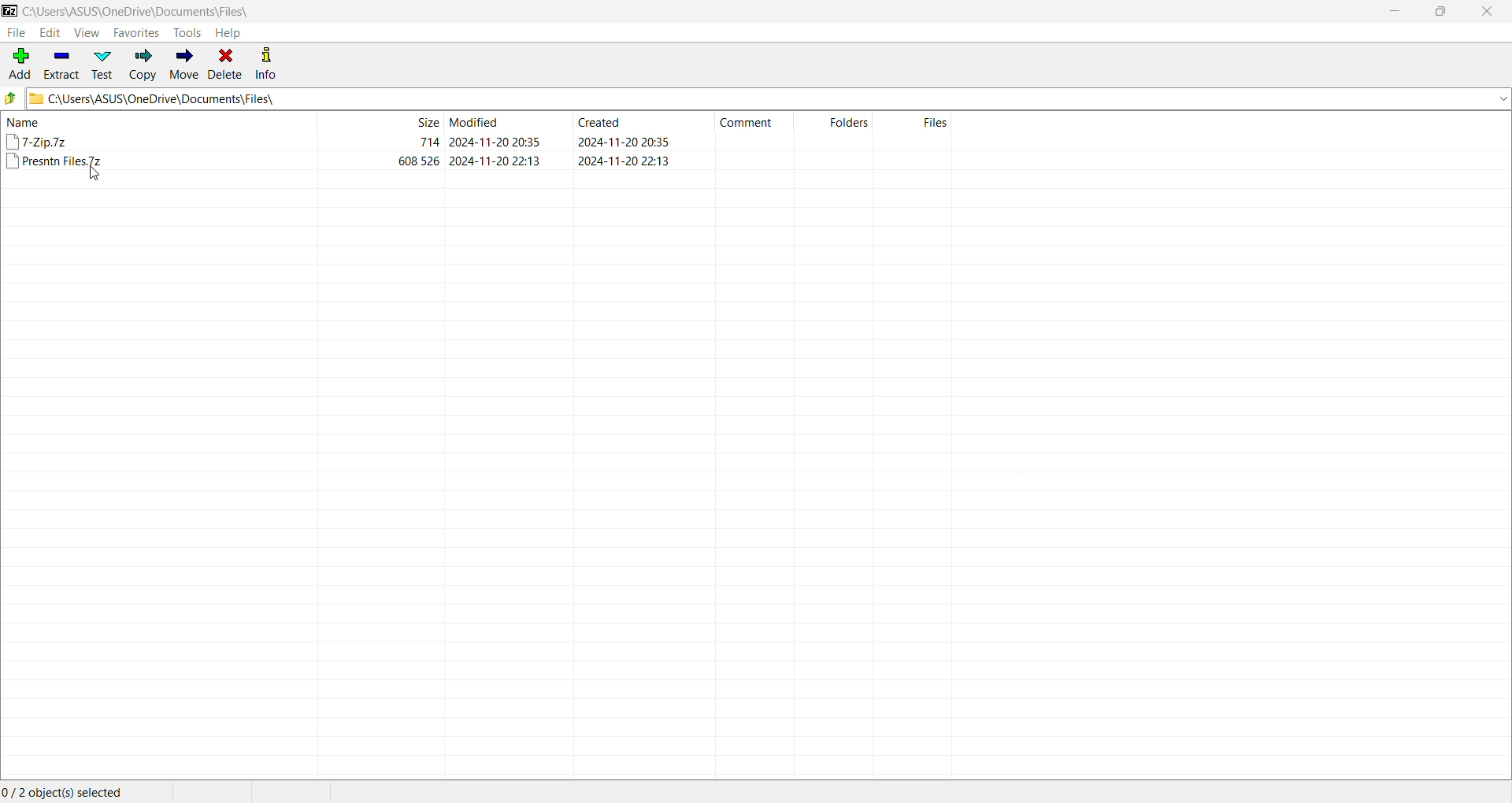  I want to click on size, so click(420, 161).